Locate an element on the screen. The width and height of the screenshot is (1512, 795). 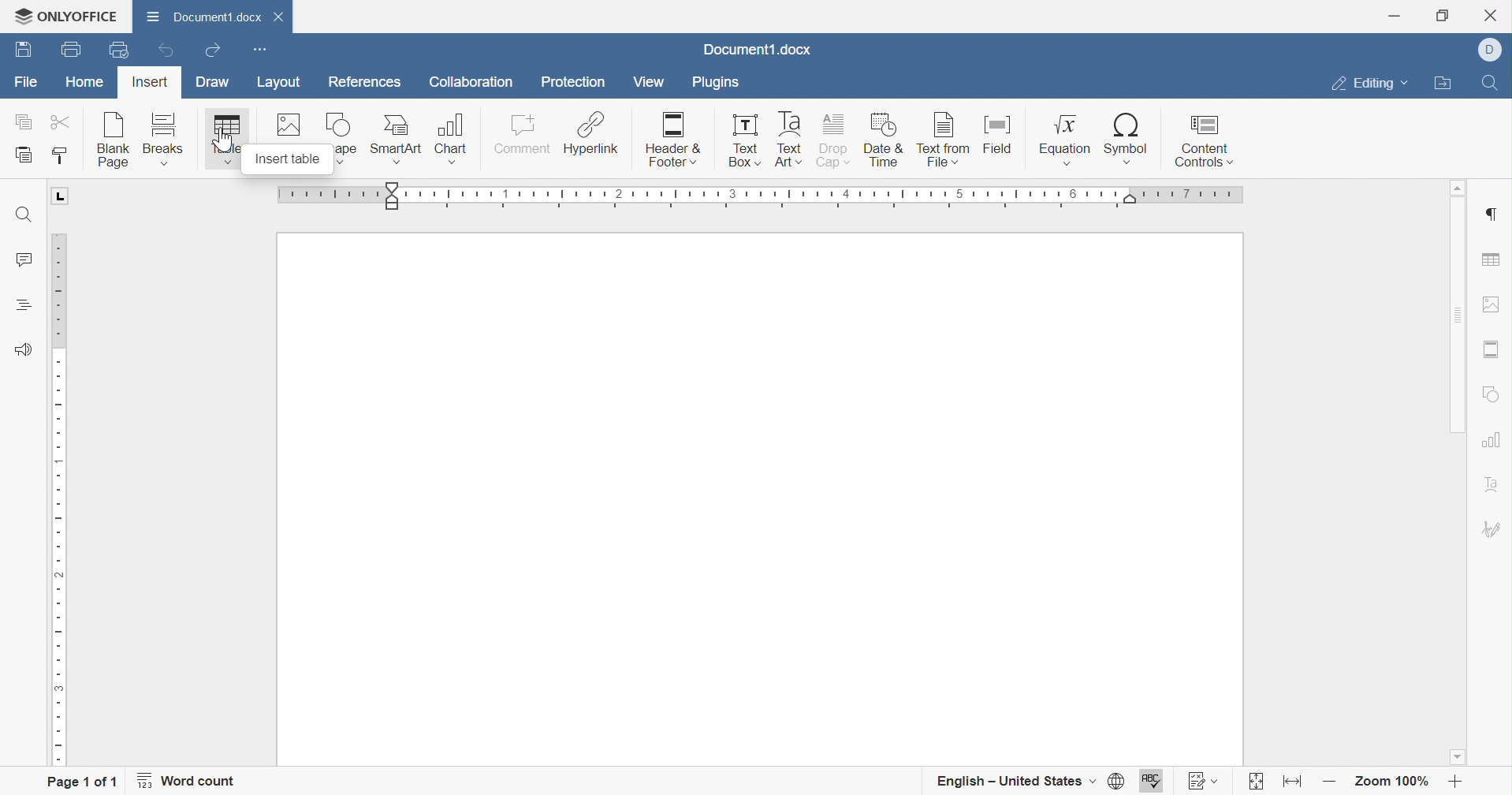
Home is located at coordinates (84, 80).